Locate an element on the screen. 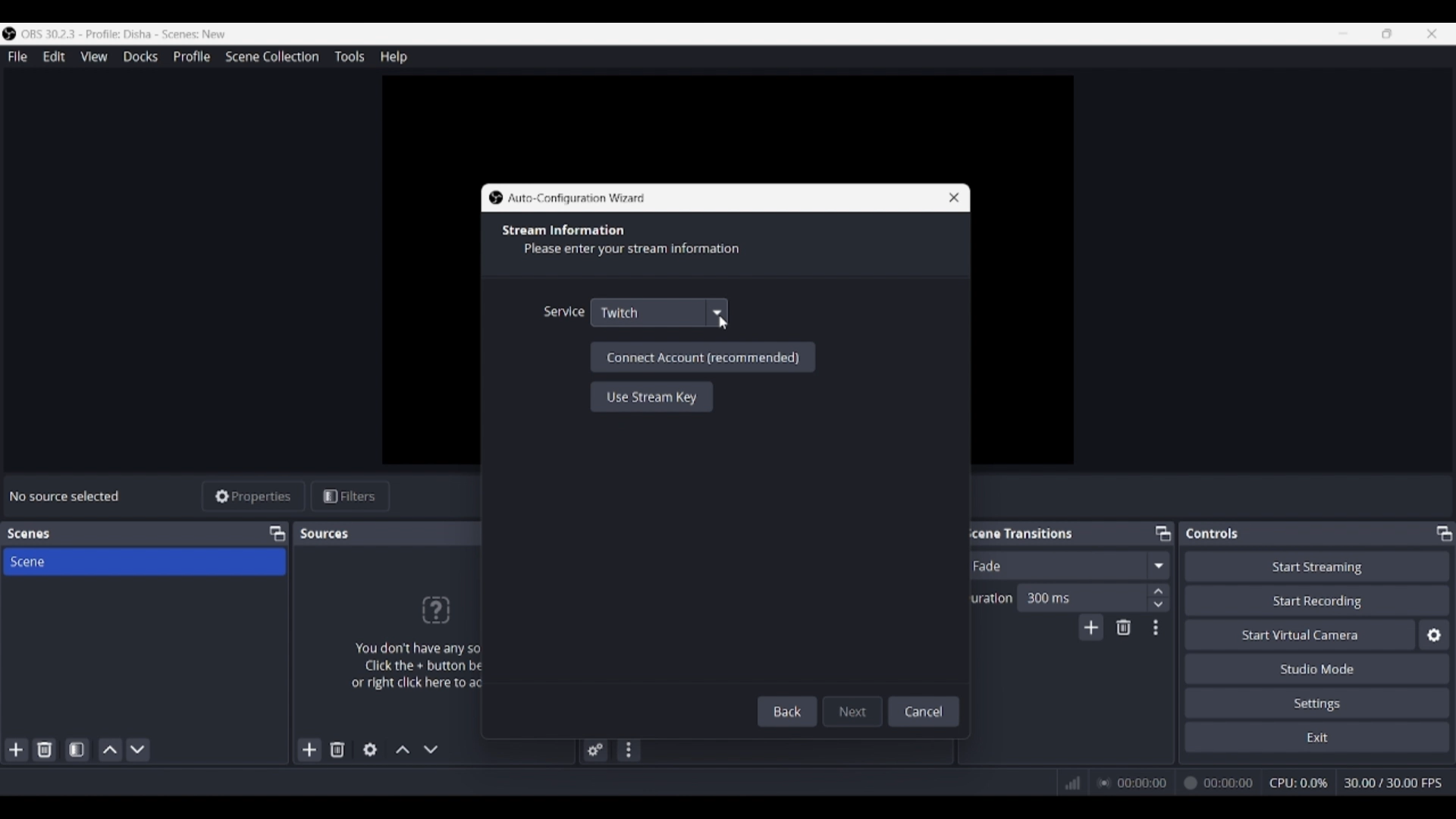  Source status is located at coordinates (67, 496).